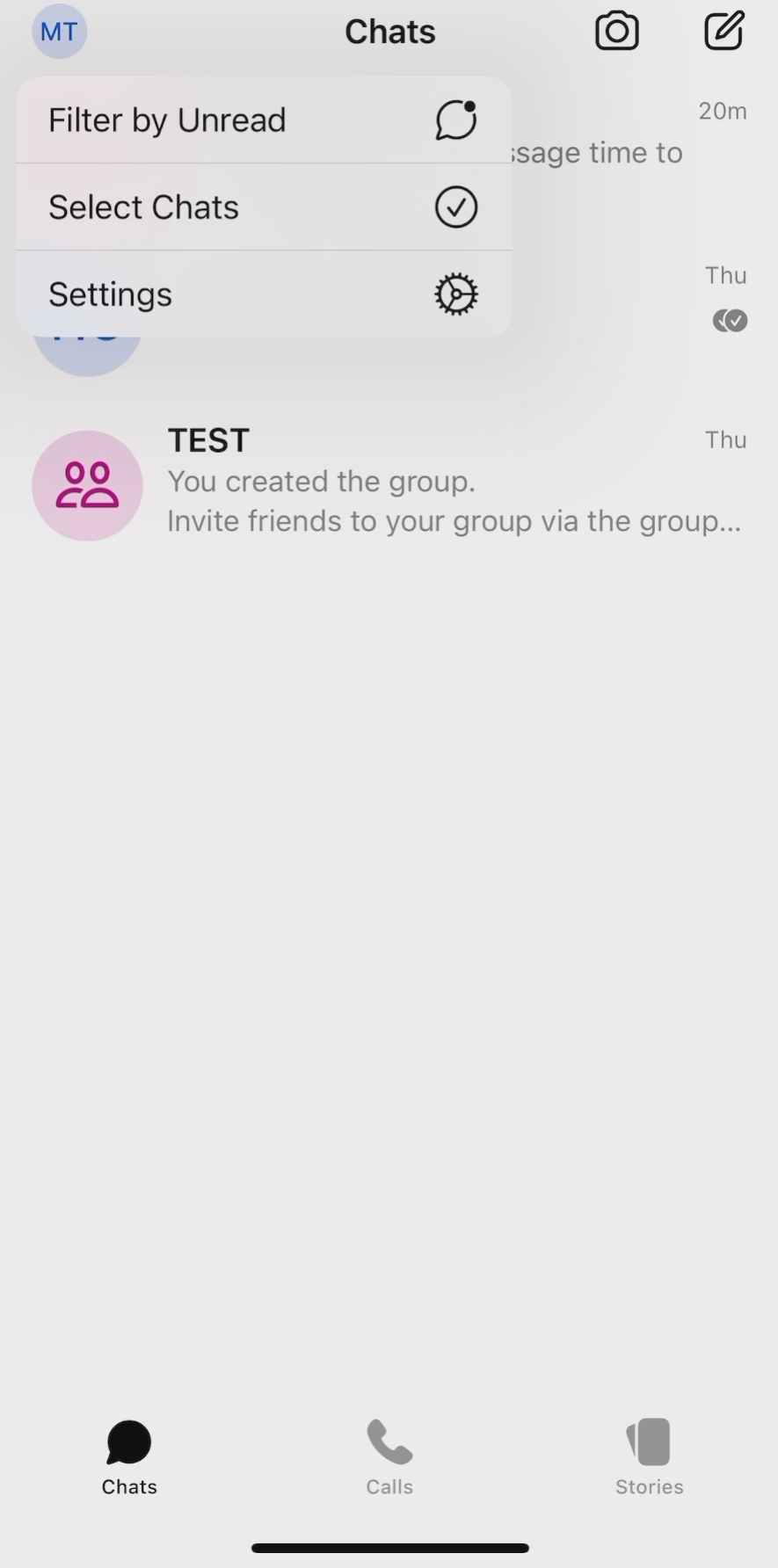  I want to click on click on settings option, so click(265, 294).